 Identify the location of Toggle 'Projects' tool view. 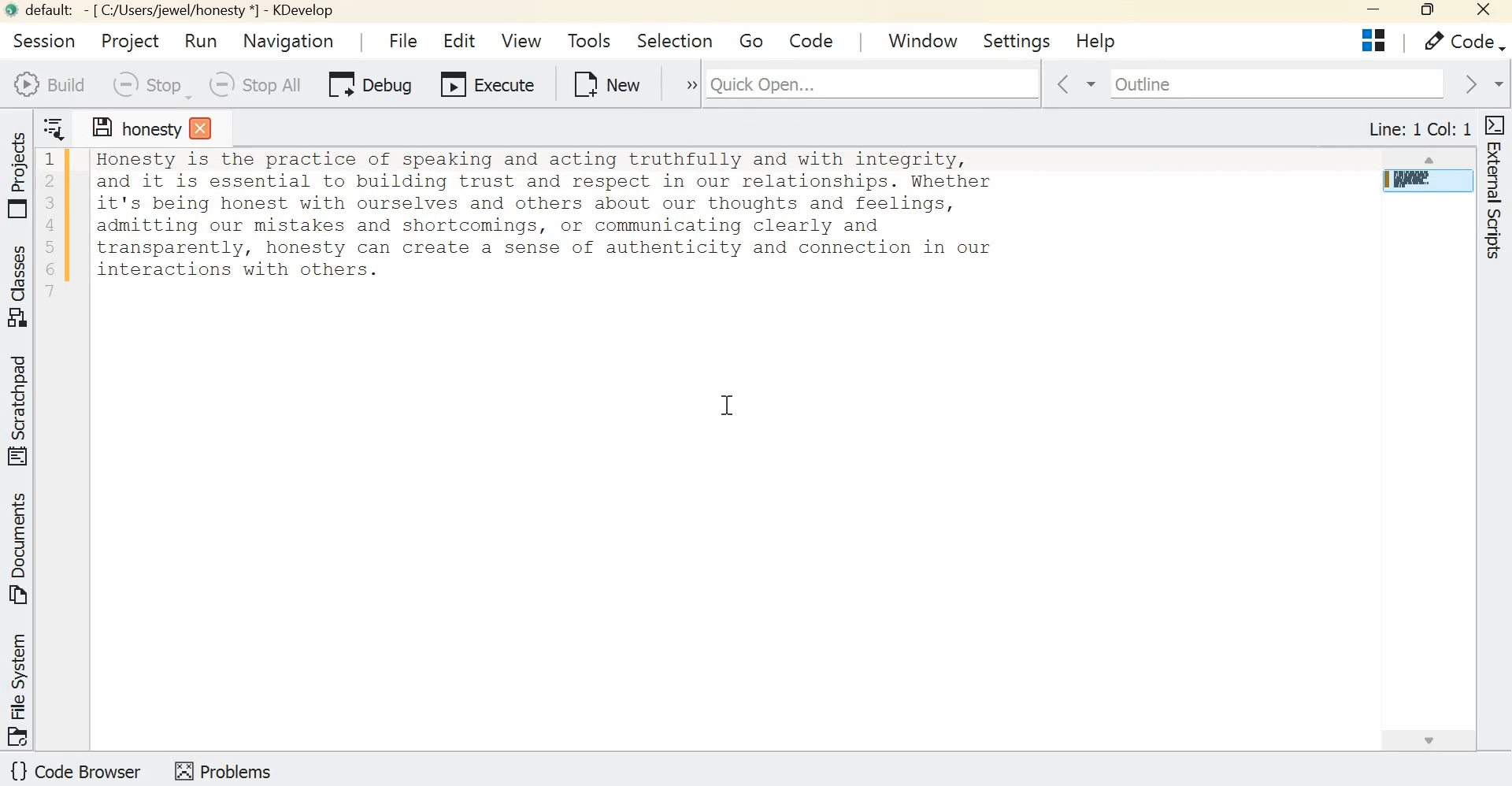
(21, 171).